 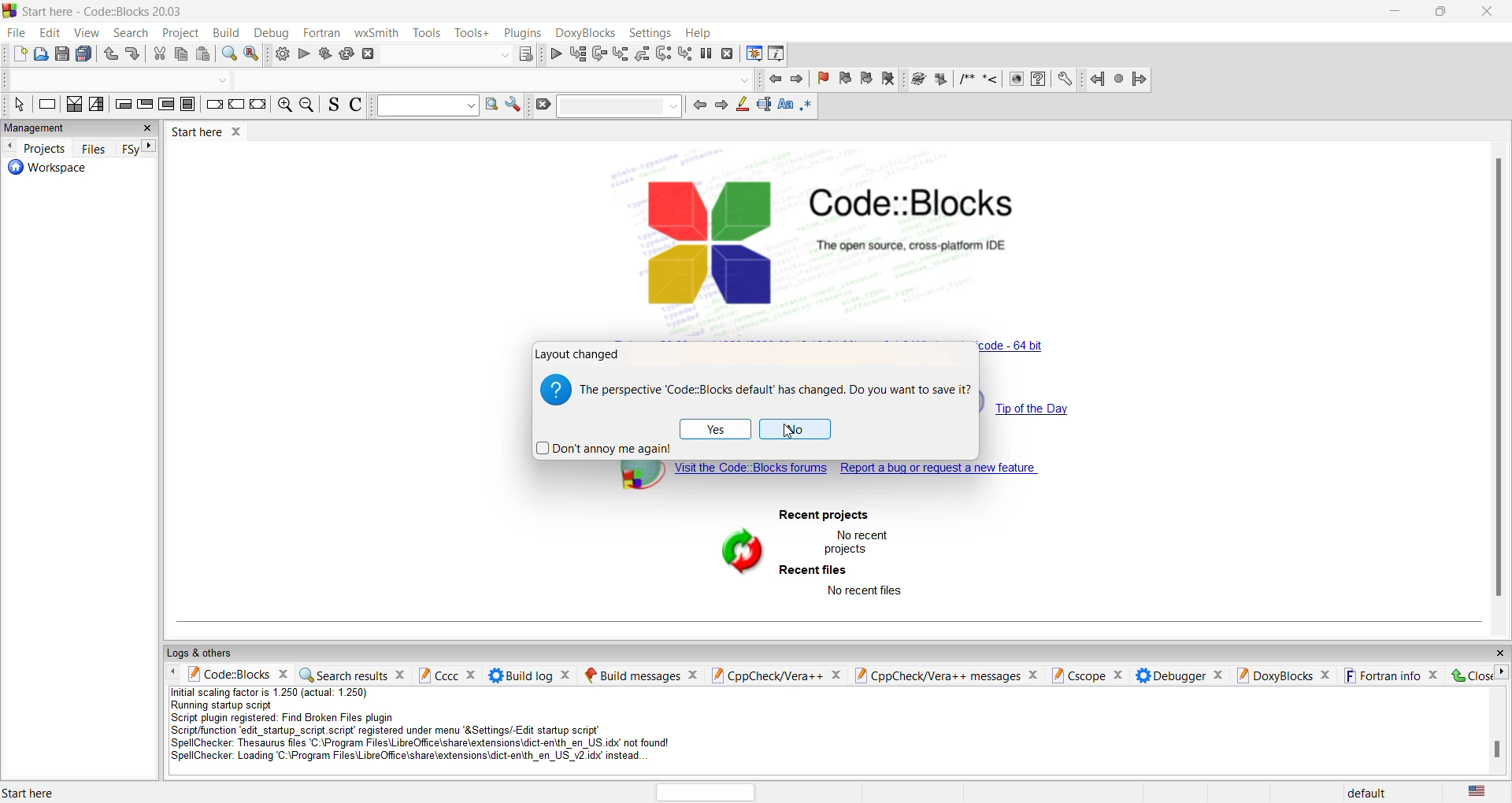 What do you see at coordinates (806, 109) in the screenshot?
I see `full regex` at bounding box center [806, 109].